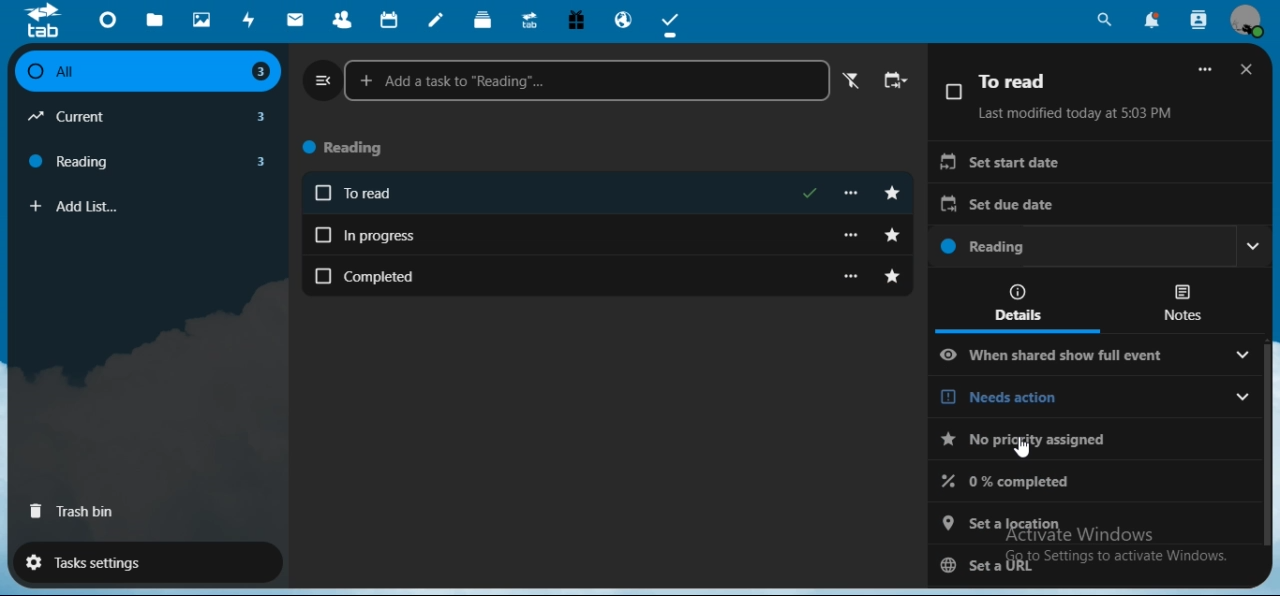  Describe the element at coordinates (1097, 484) in the screenshot. I see `completed` at that location.